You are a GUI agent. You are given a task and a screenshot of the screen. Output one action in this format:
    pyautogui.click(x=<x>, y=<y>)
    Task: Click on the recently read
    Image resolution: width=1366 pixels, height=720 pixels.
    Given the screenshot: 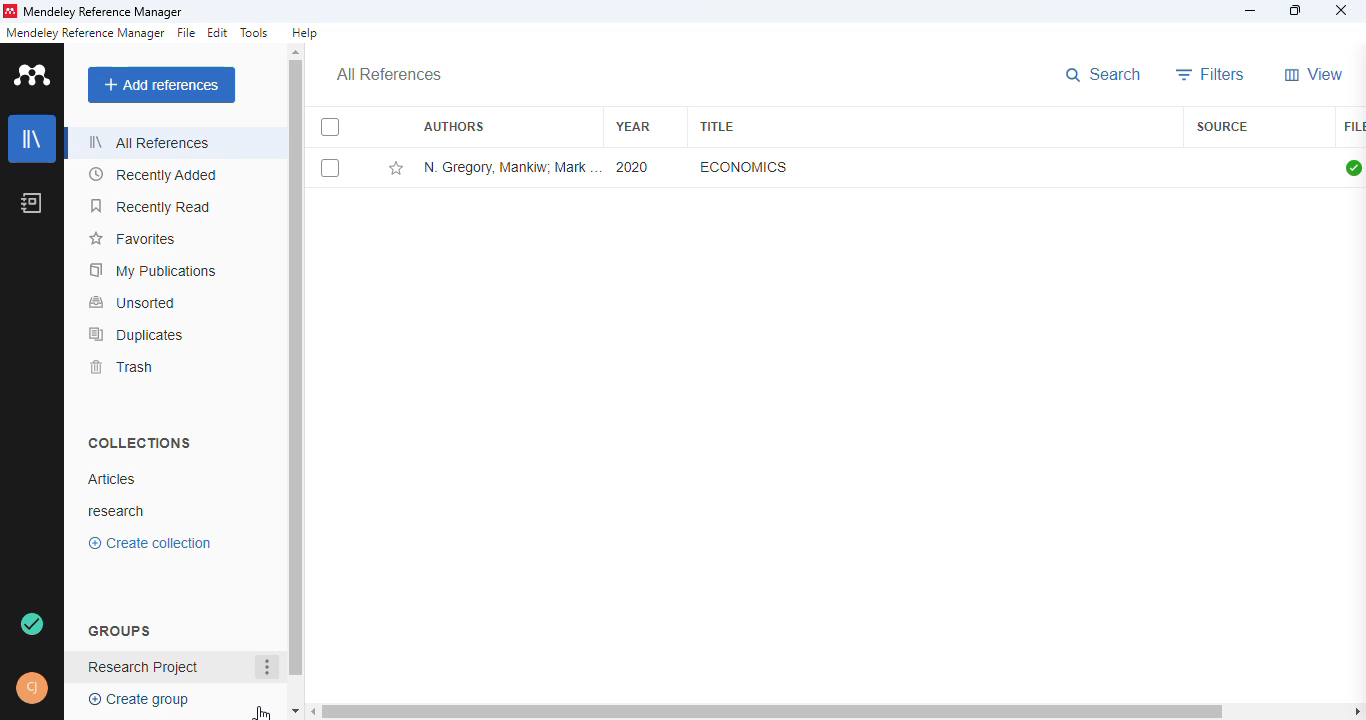 What is the action you would take?
    pyautogui.click(x=151, y=206)
    